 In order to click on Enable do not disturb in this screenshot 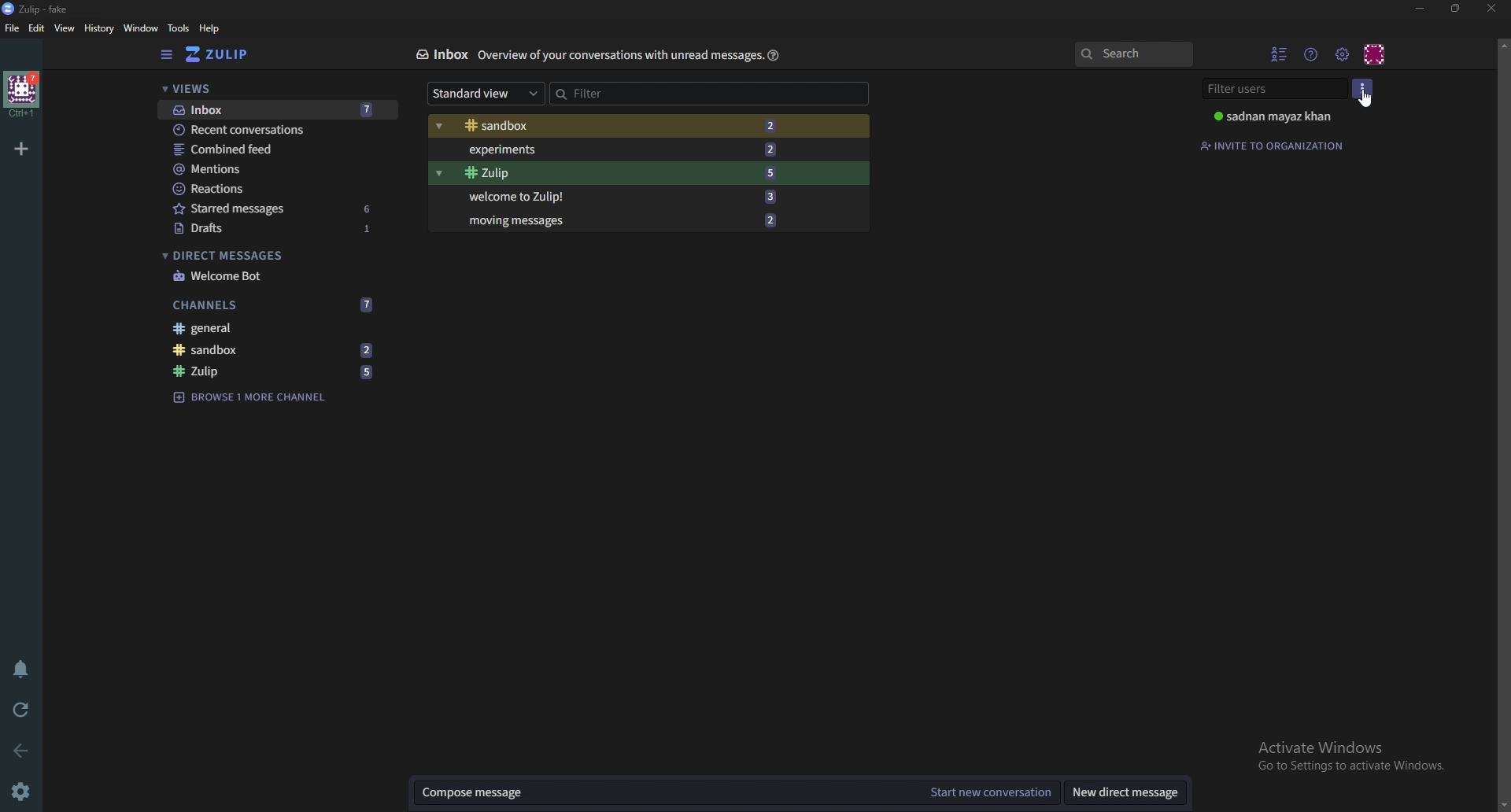, I will do `click(17, 668)`.